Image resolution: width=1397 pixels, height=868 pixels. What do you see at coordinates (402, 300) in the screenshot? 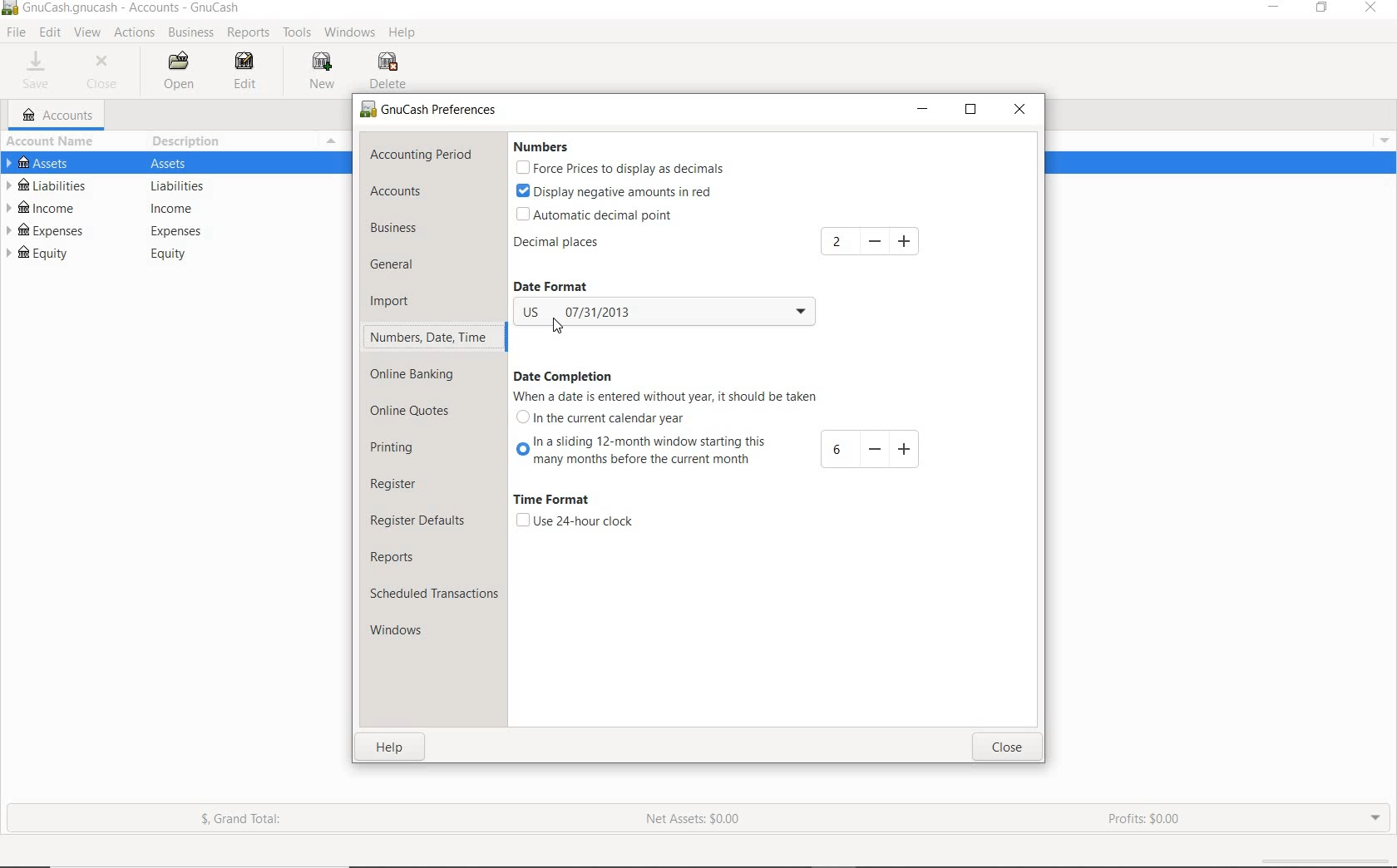
I see `import` at bounding box center [402, 300].